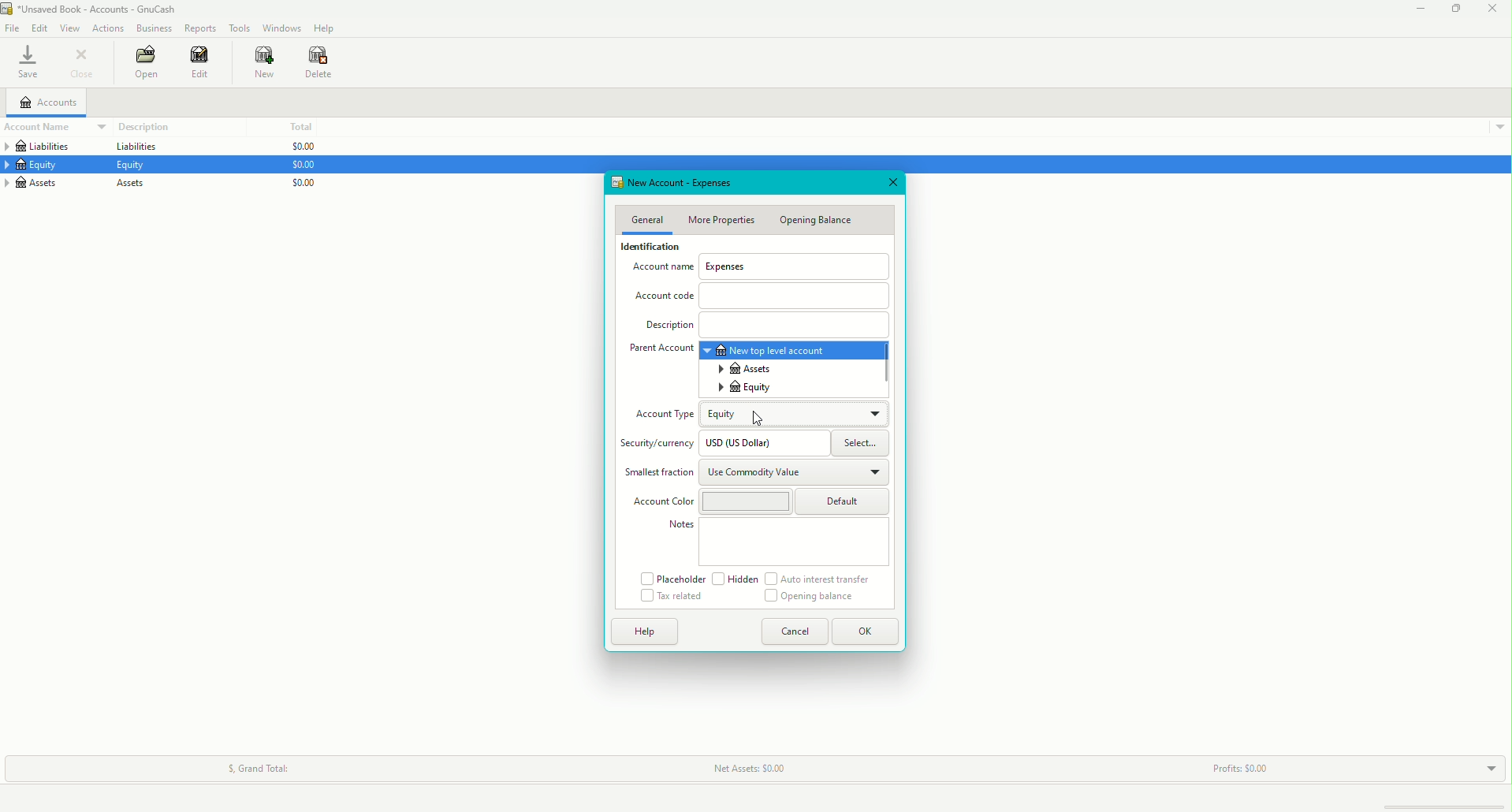 This screenshot has height=812, width=1512. What do you see at coordinates (300, 126) in the screenshot?
I see `Total` at bounding box center [300, 126].